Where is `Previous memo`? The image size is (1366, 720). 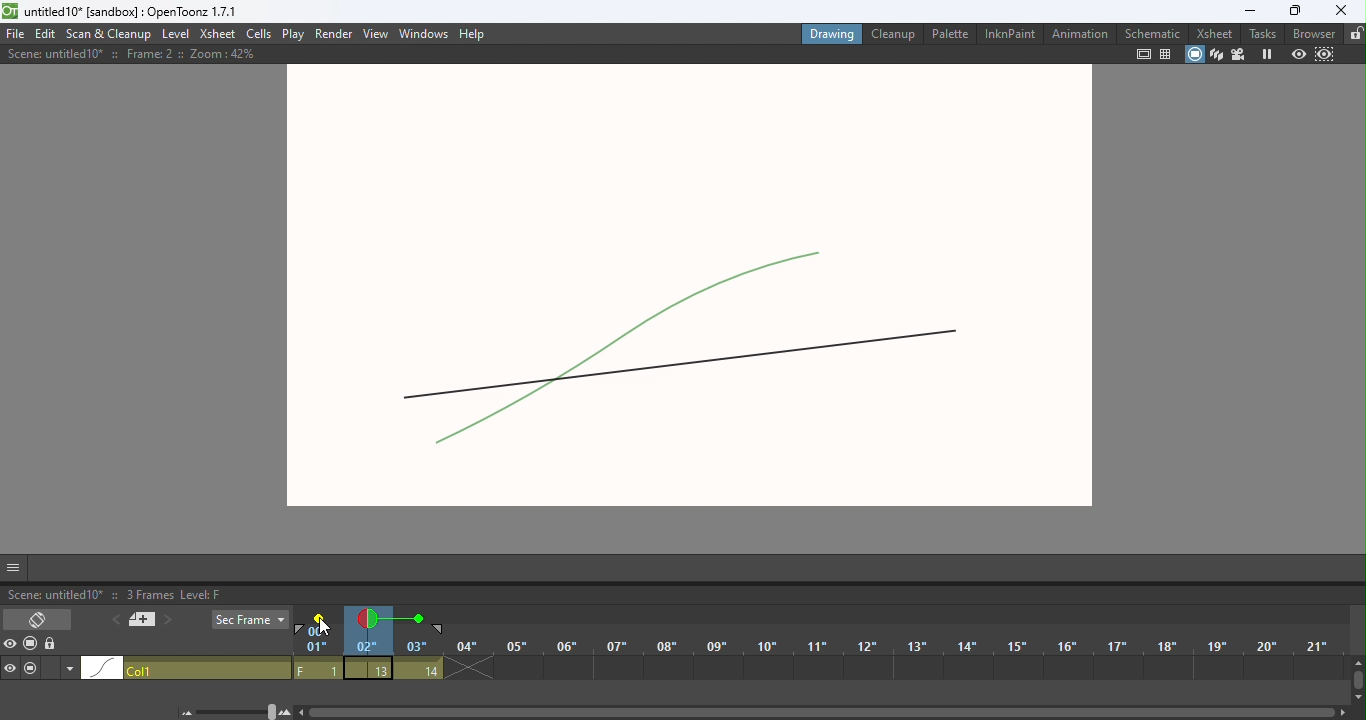 Previous memo is located at coordinates (113, 621).